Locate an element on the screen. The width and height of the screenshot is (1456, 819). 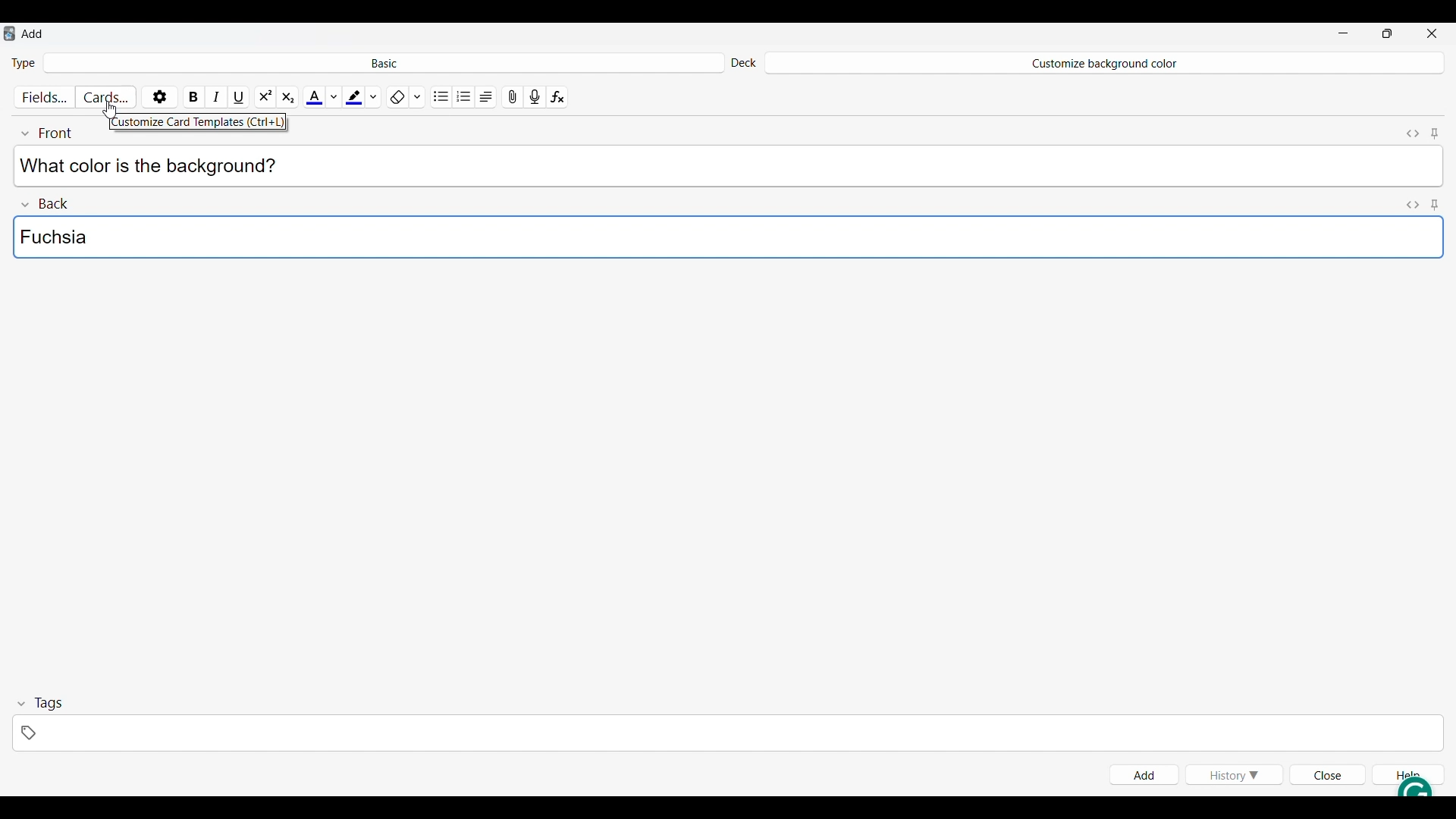
Selected text color is located at coordinates (313, 95).